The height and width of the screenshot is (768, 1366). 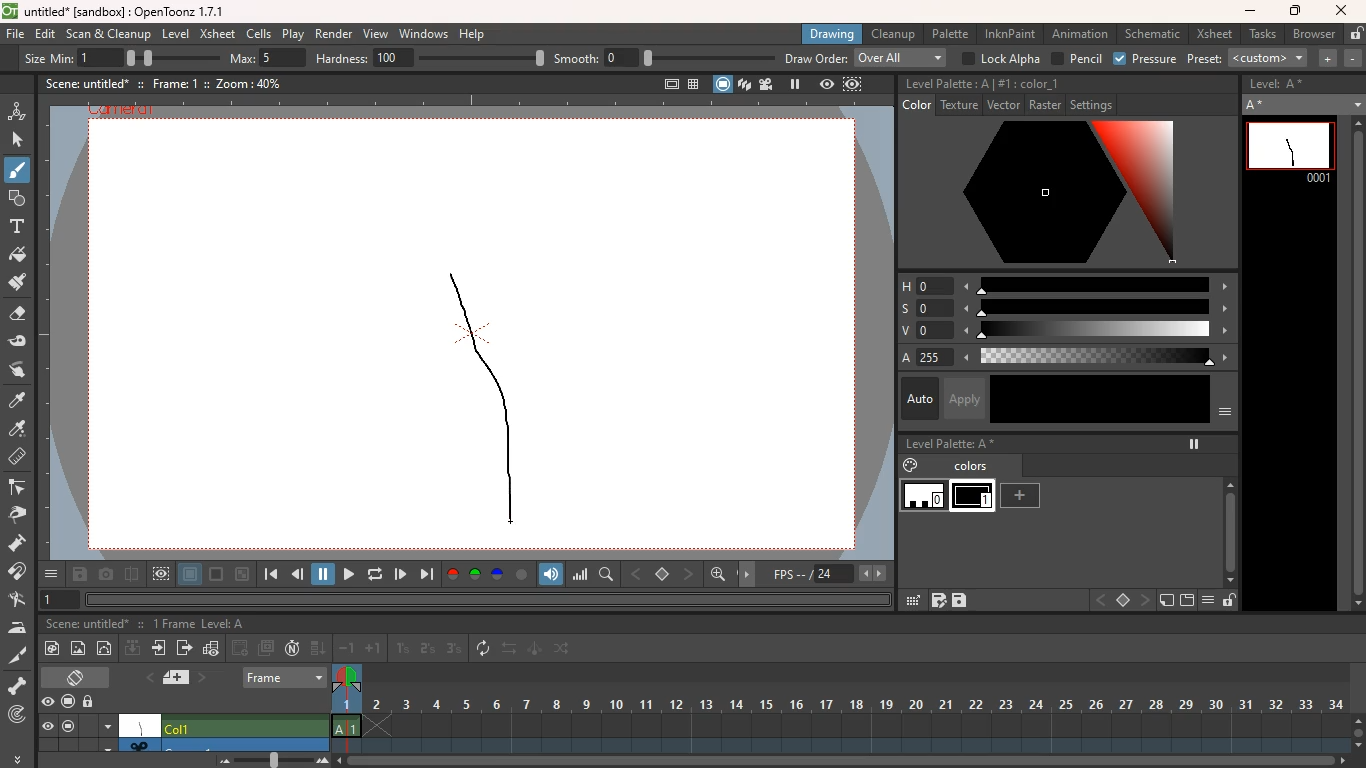 I want to click on drop, so click(x=19, y=430).